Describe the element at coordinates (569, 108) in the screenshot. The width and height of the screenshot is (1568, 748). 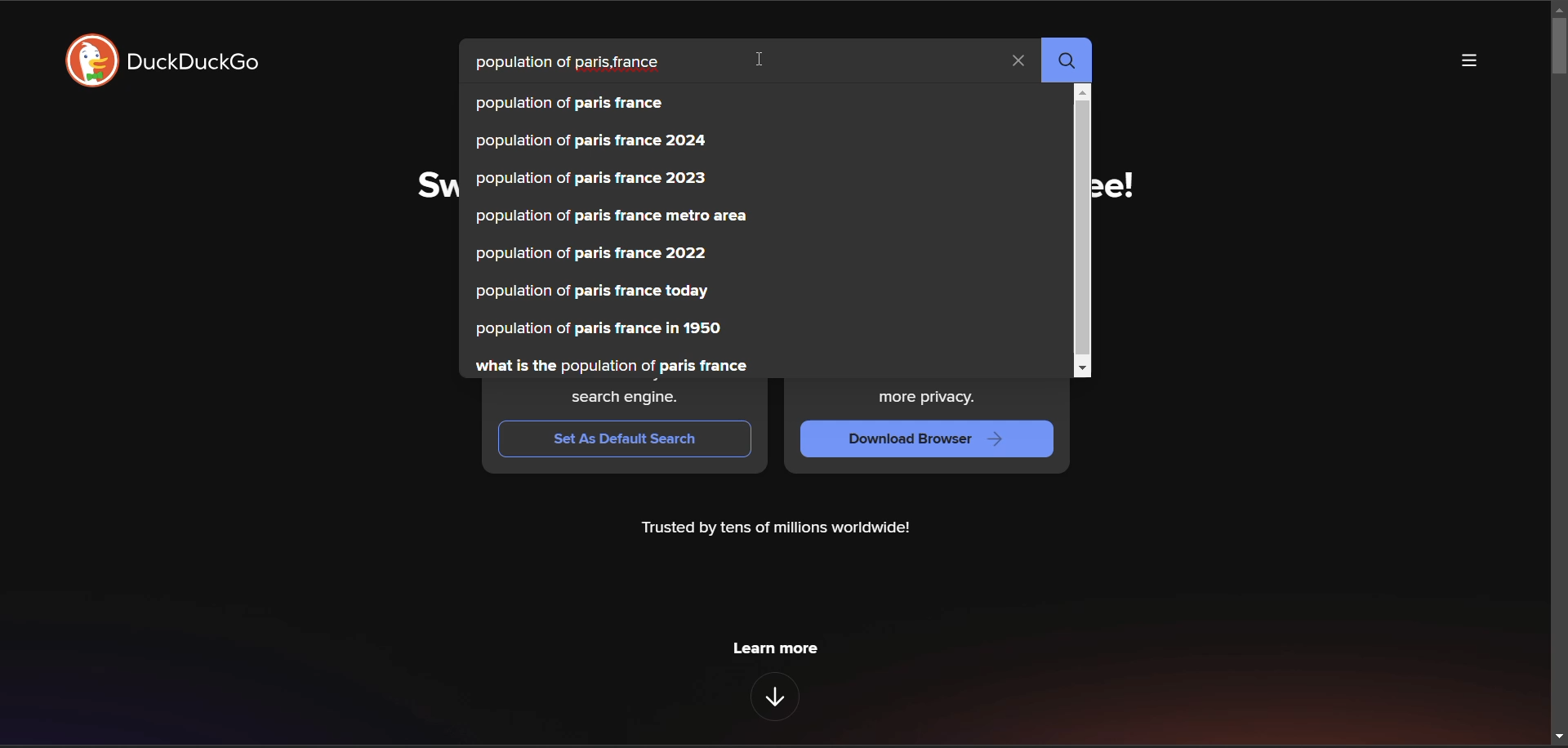
I see `population of paris france` at that location.